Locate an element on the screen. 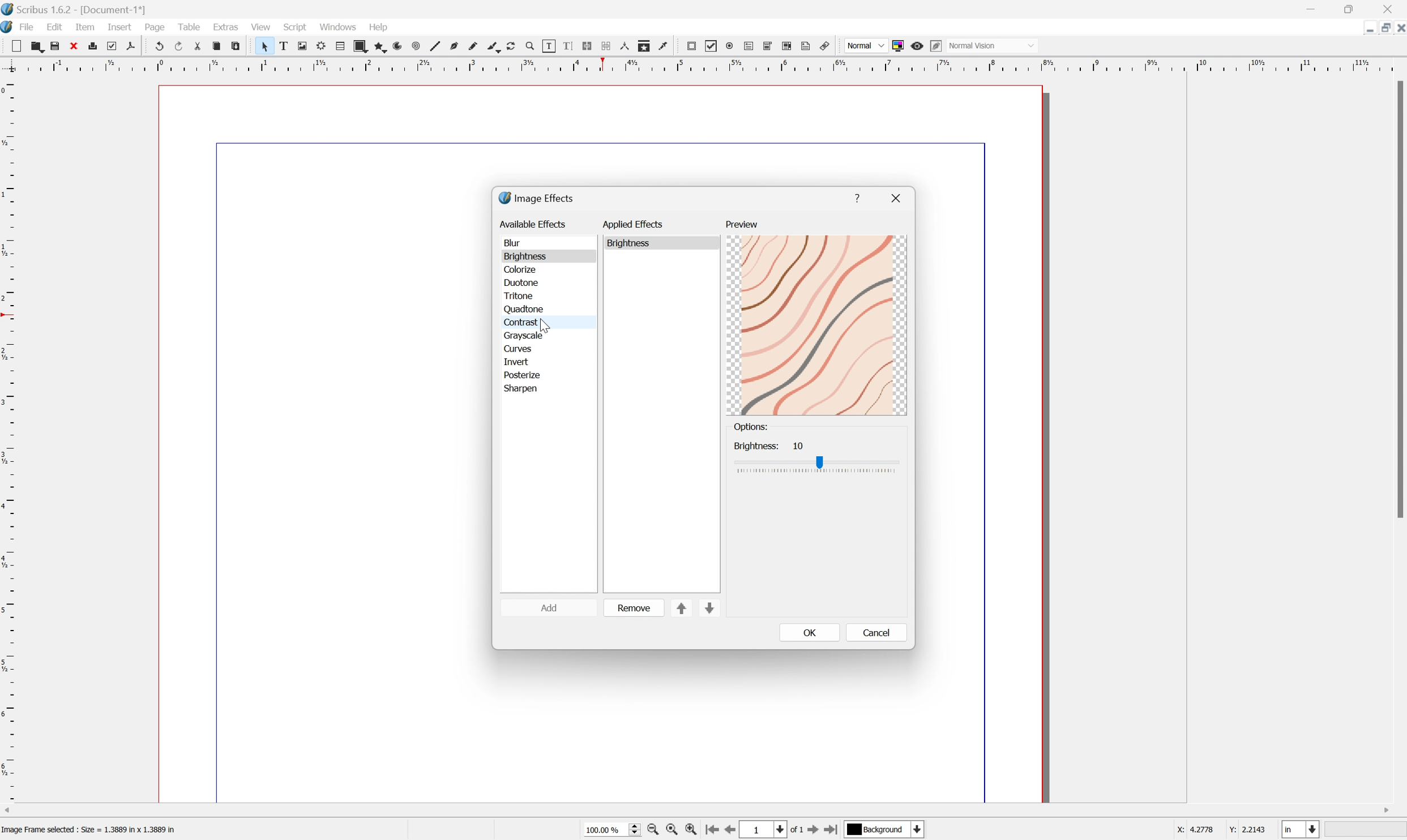 Image resolution: width=1407 pixels, height=840 pixels. PDF combo box is located at coordinates (769, 47).